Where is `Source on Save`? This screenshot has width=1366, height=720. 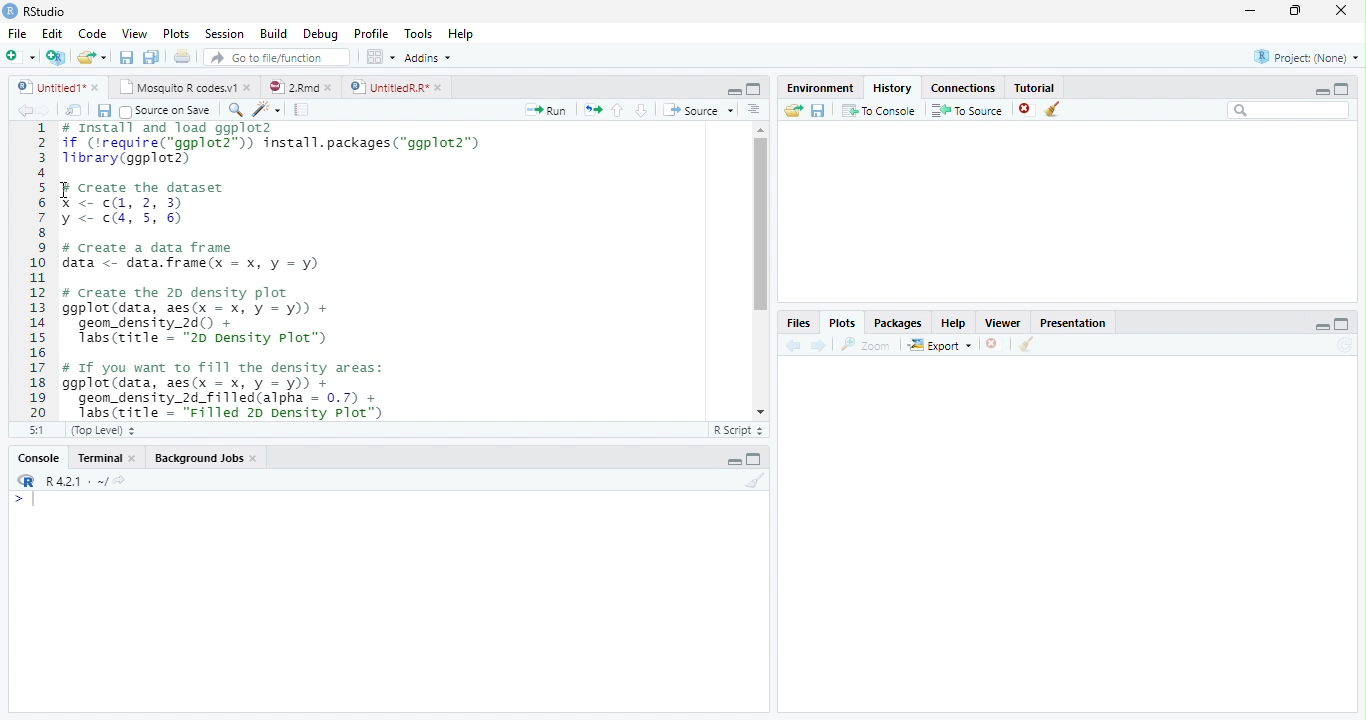 Source on Save is located at coordinates (163, 111).